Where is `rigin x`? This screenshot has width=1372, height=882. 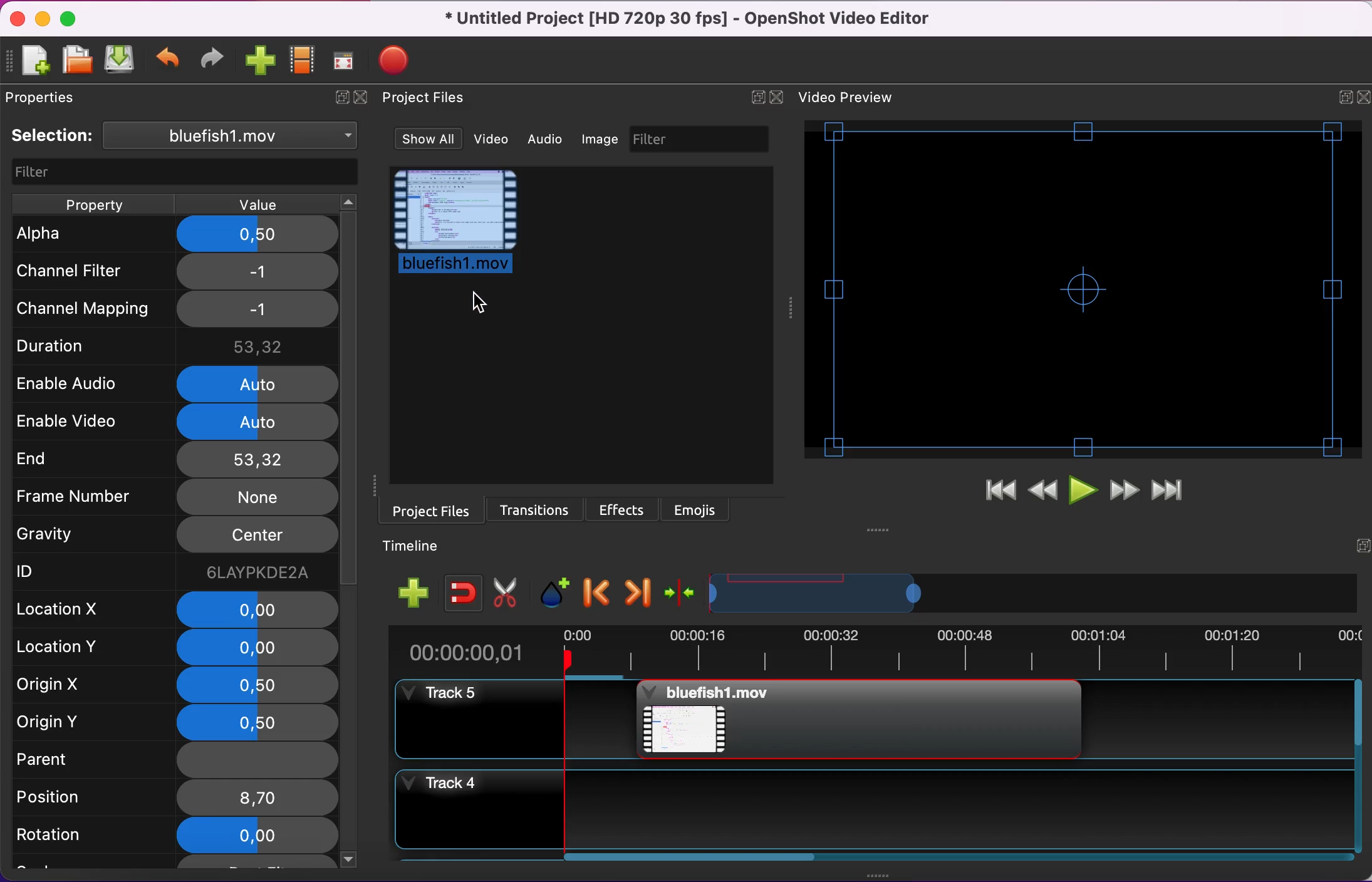
rigin x is located at coordinates (70, 688).